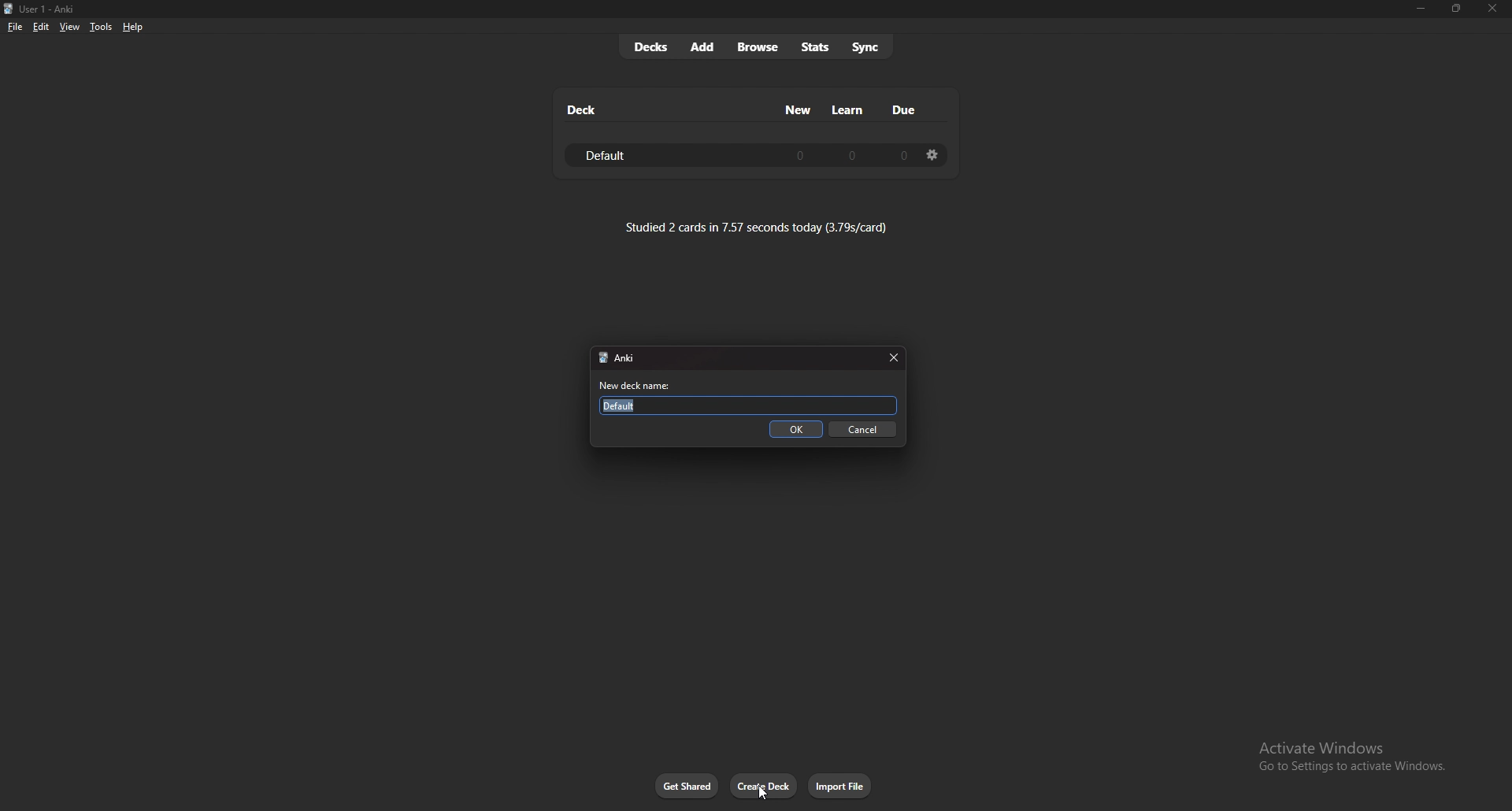 This screenshot has width=1512, height=811. I want to click on new deck name, so click(639, 386).